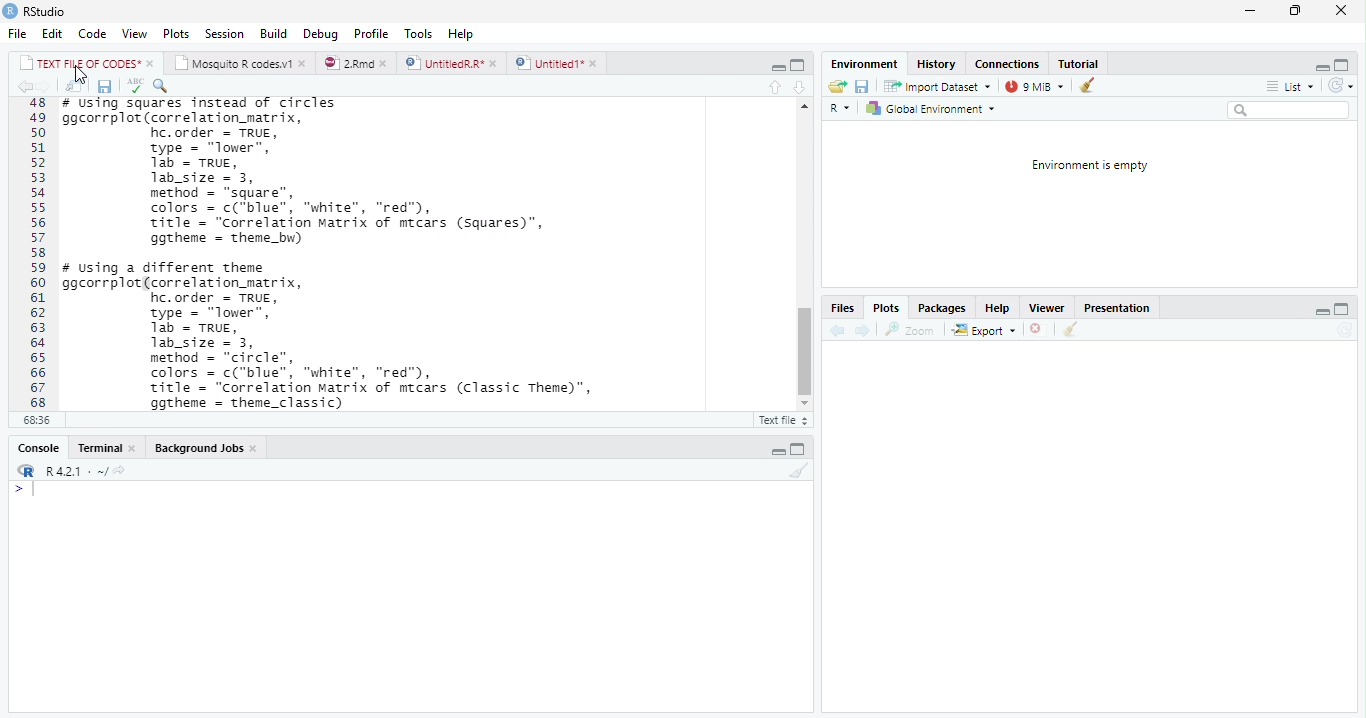  I want to click on R421 - ~/, so click(86, 471).